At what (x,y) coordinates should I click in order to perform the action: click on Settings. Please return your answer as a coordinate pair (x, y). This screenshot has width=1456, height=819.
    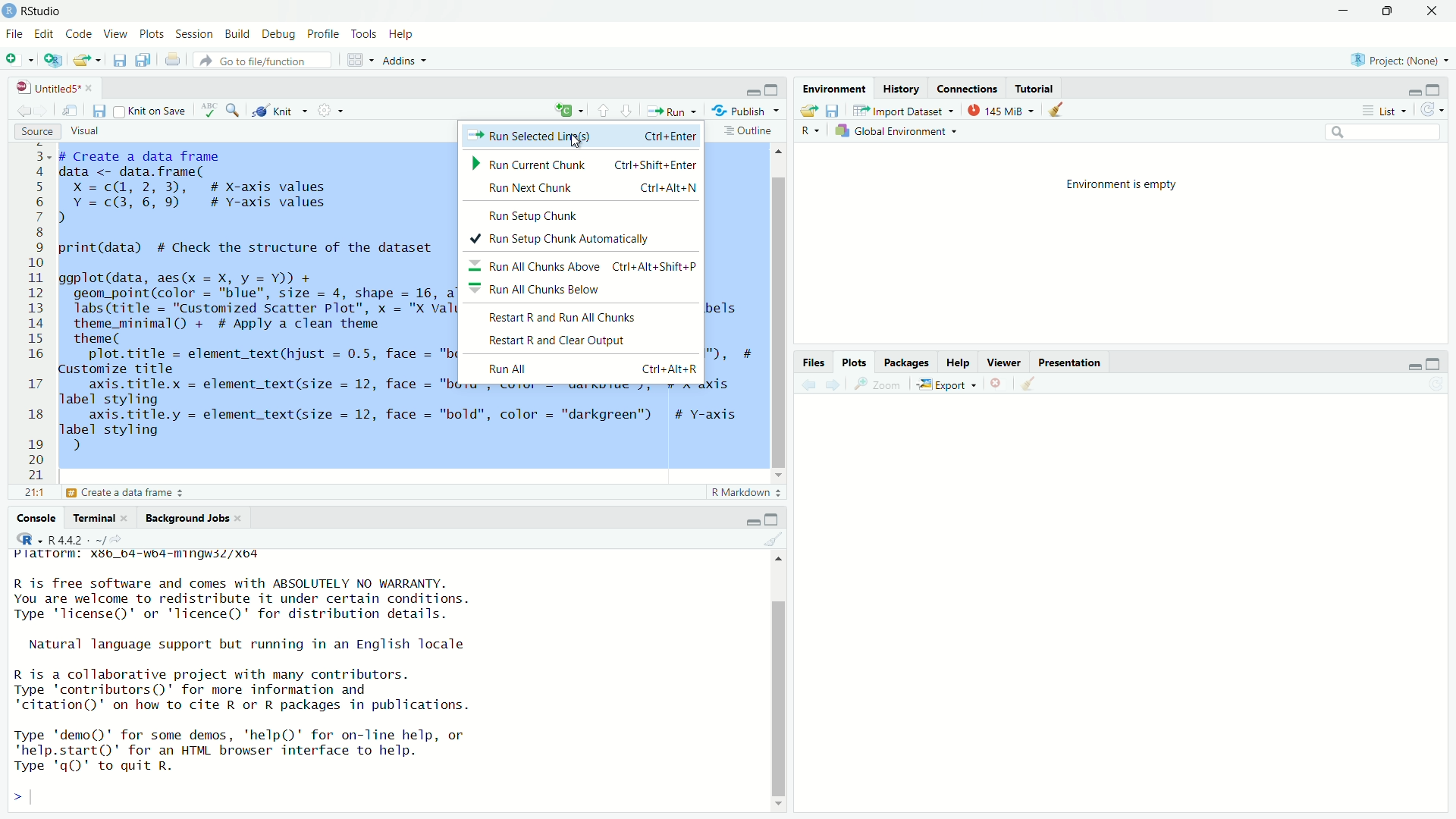
    Looking at the image, I should click on (332, 111).